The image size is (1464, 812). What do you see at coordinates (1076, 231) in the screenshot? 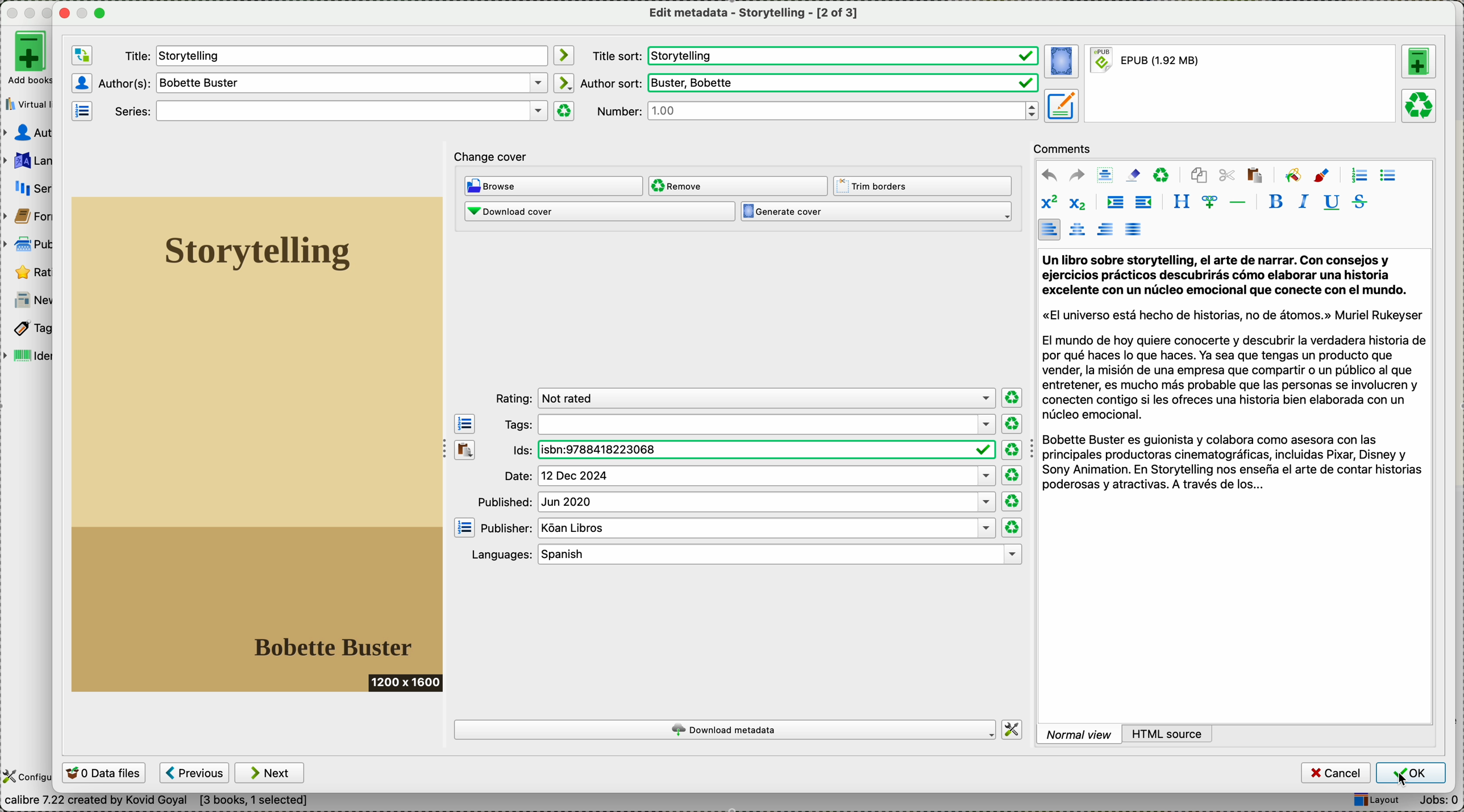
I see `align center` at bounding box center [1076, 231].